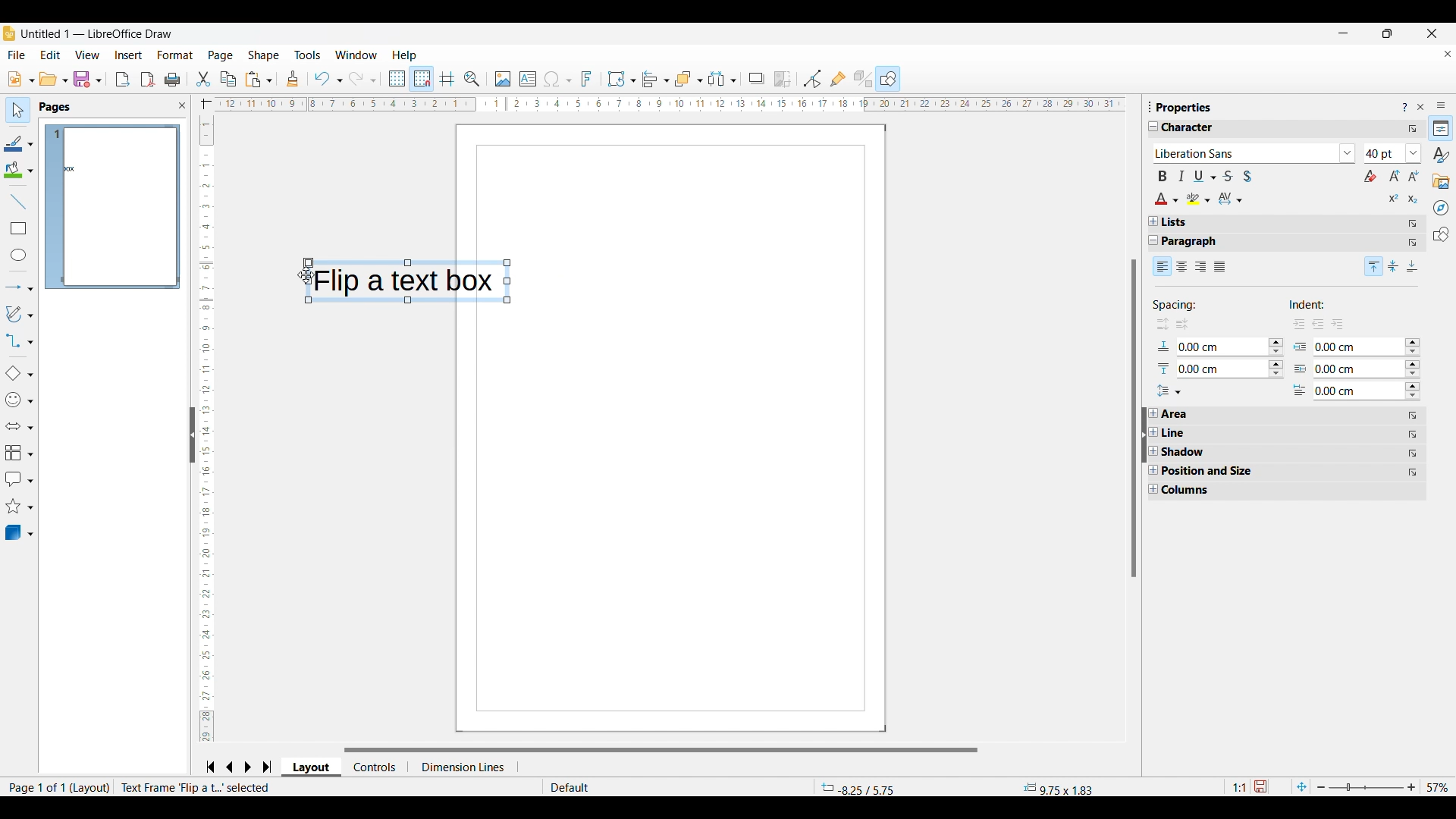 This screenshot has height=819, width=1456. What do you see at coordinates (447, 79) in the screenshot?
I see `Helplines while moving` at bounding box center [447, 79].